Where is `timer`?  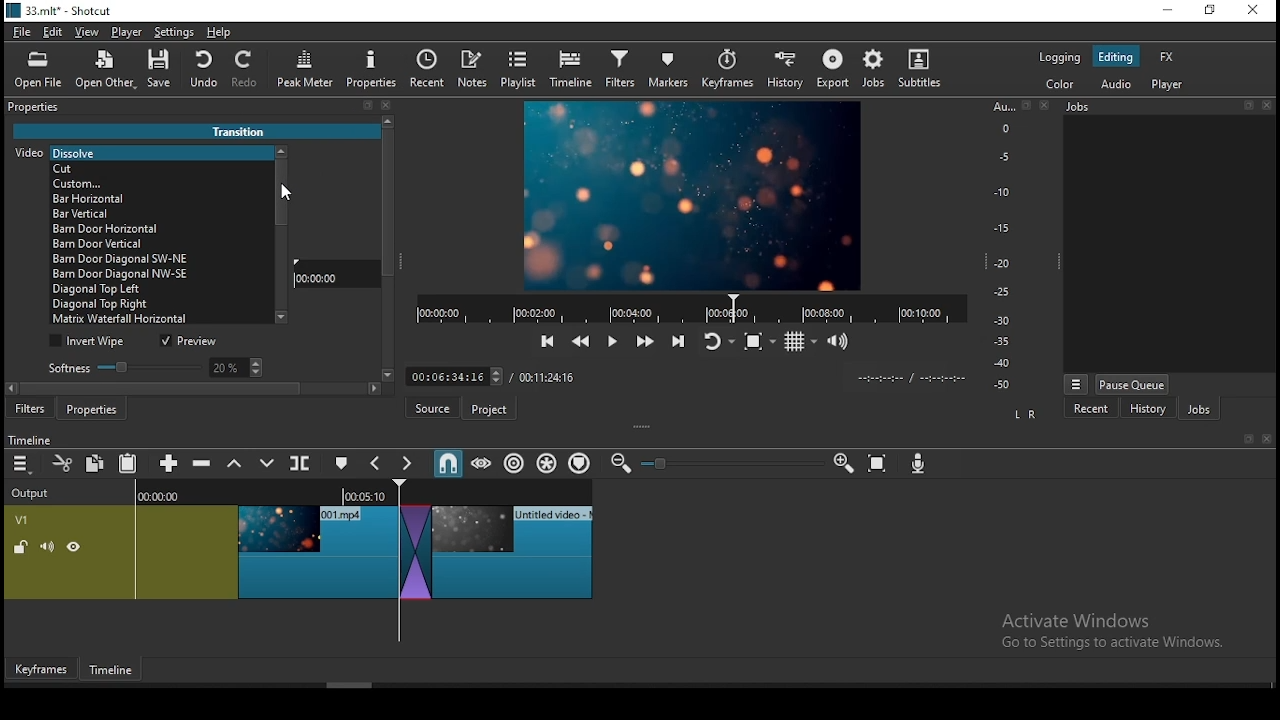 timer is located at coordinates (686, 308).